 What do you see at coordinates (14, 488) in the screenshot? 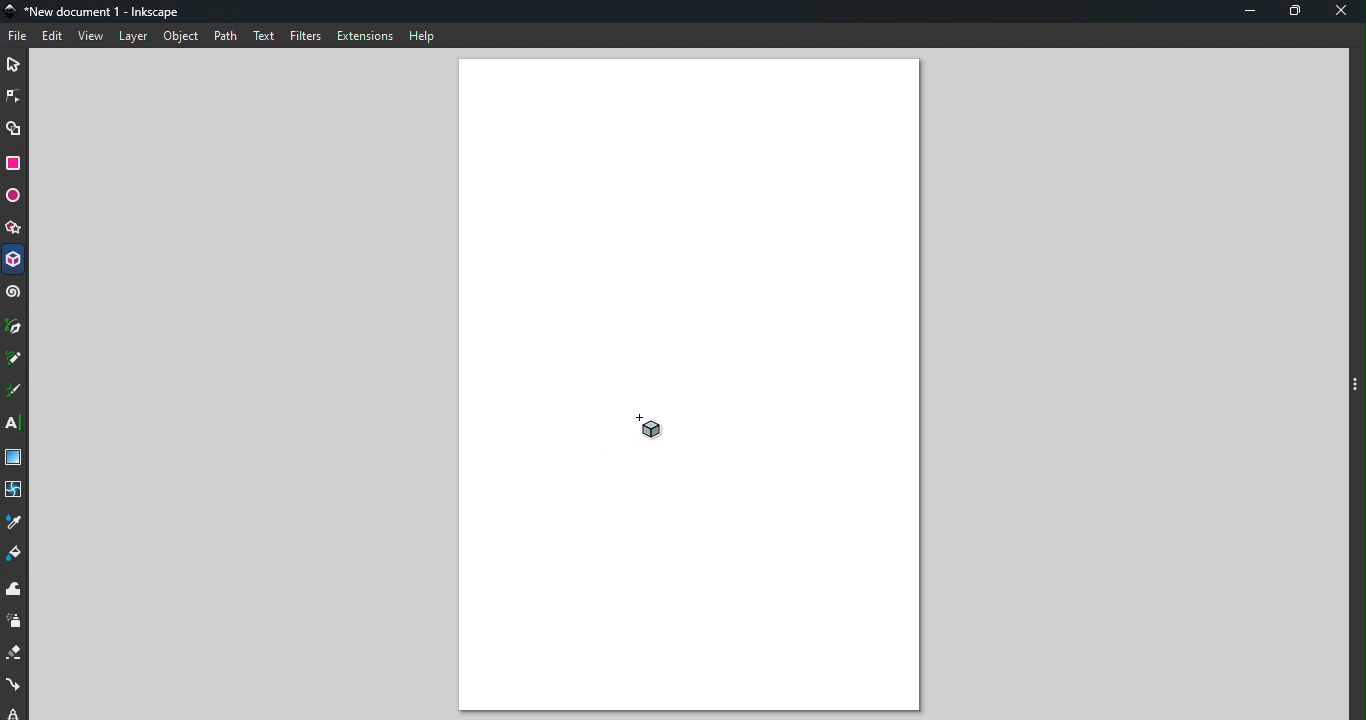
I see `Mesh tool` at bounding box center [14, 488].